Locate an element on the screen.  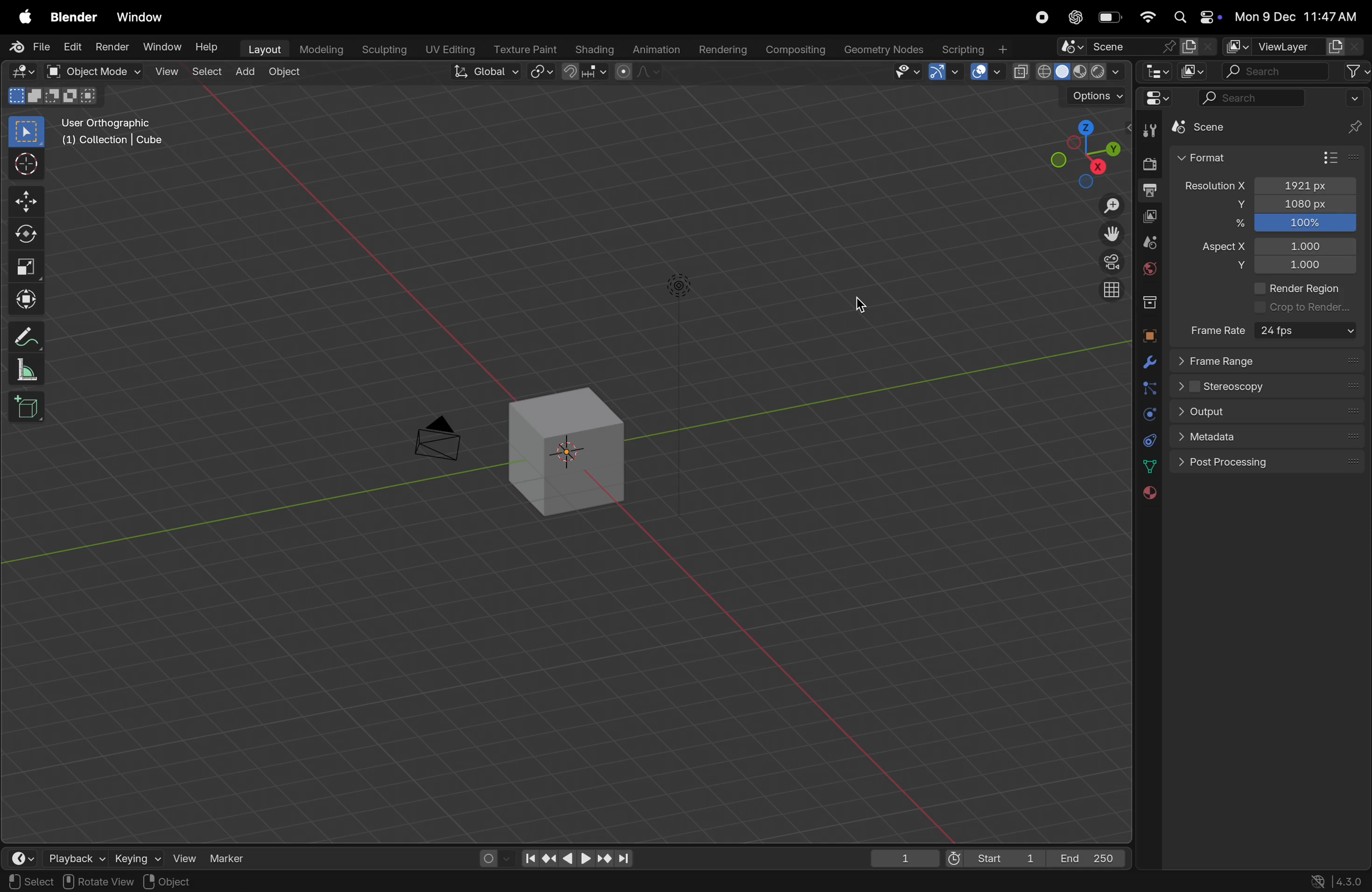
editor type is located at coordinates (1153, 100).